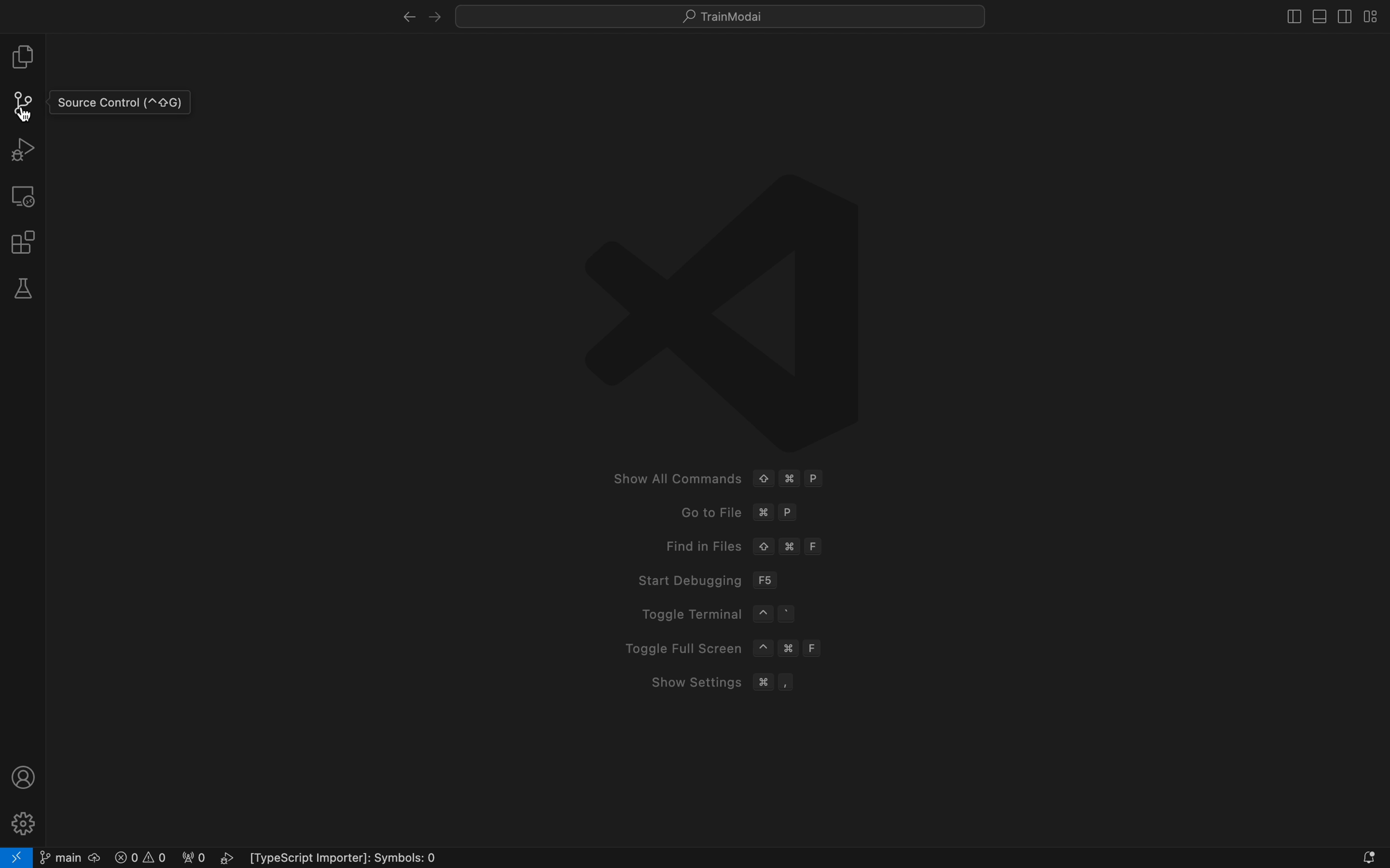 The height and width of the screenshot is (868, 1390). What do you see at coordinates (25, 777) in the screenshot?
I see `profile` at bounding box center [25, 777].